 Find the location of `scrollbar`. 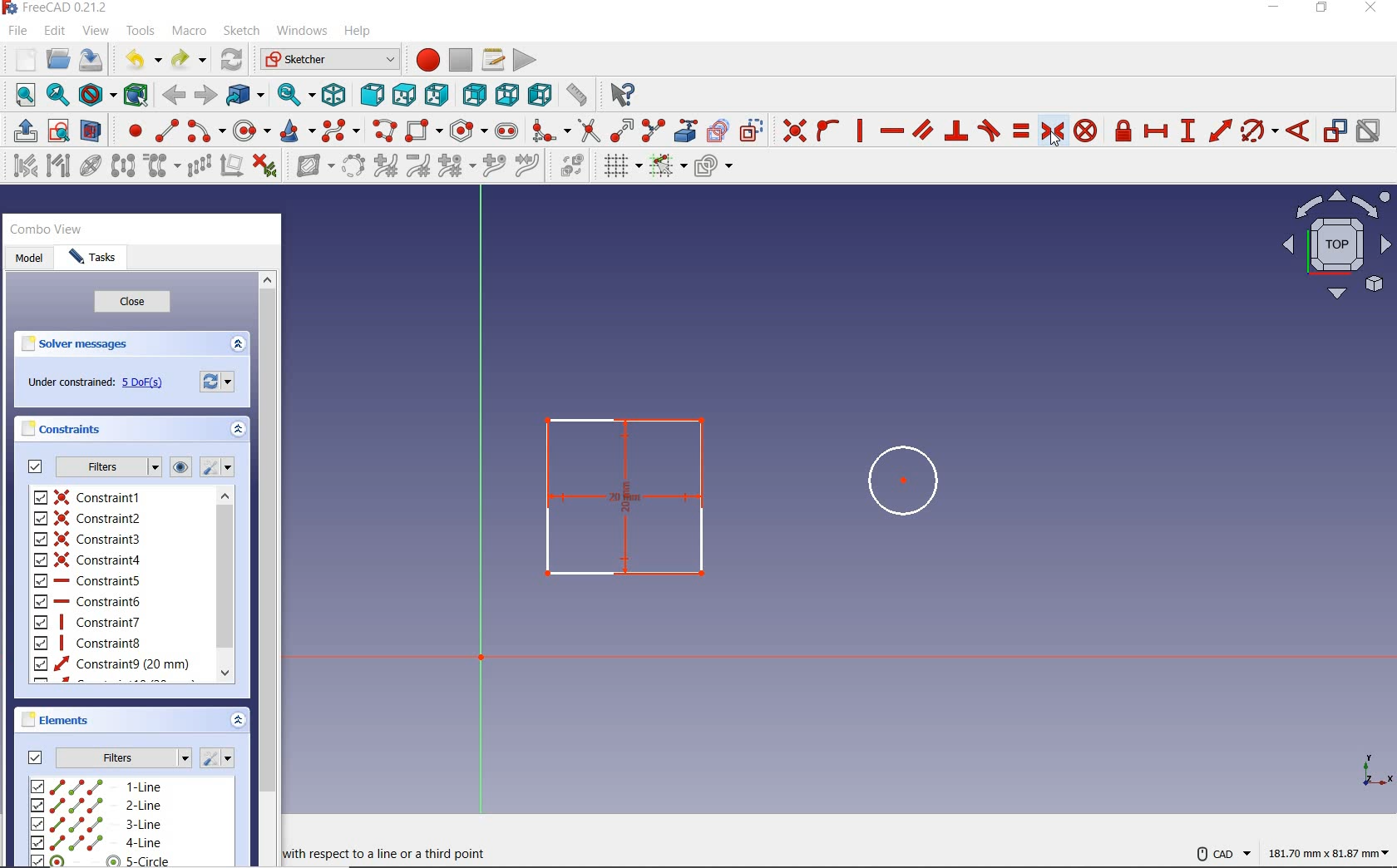

scrollbar is located at coordinates (268, 580).